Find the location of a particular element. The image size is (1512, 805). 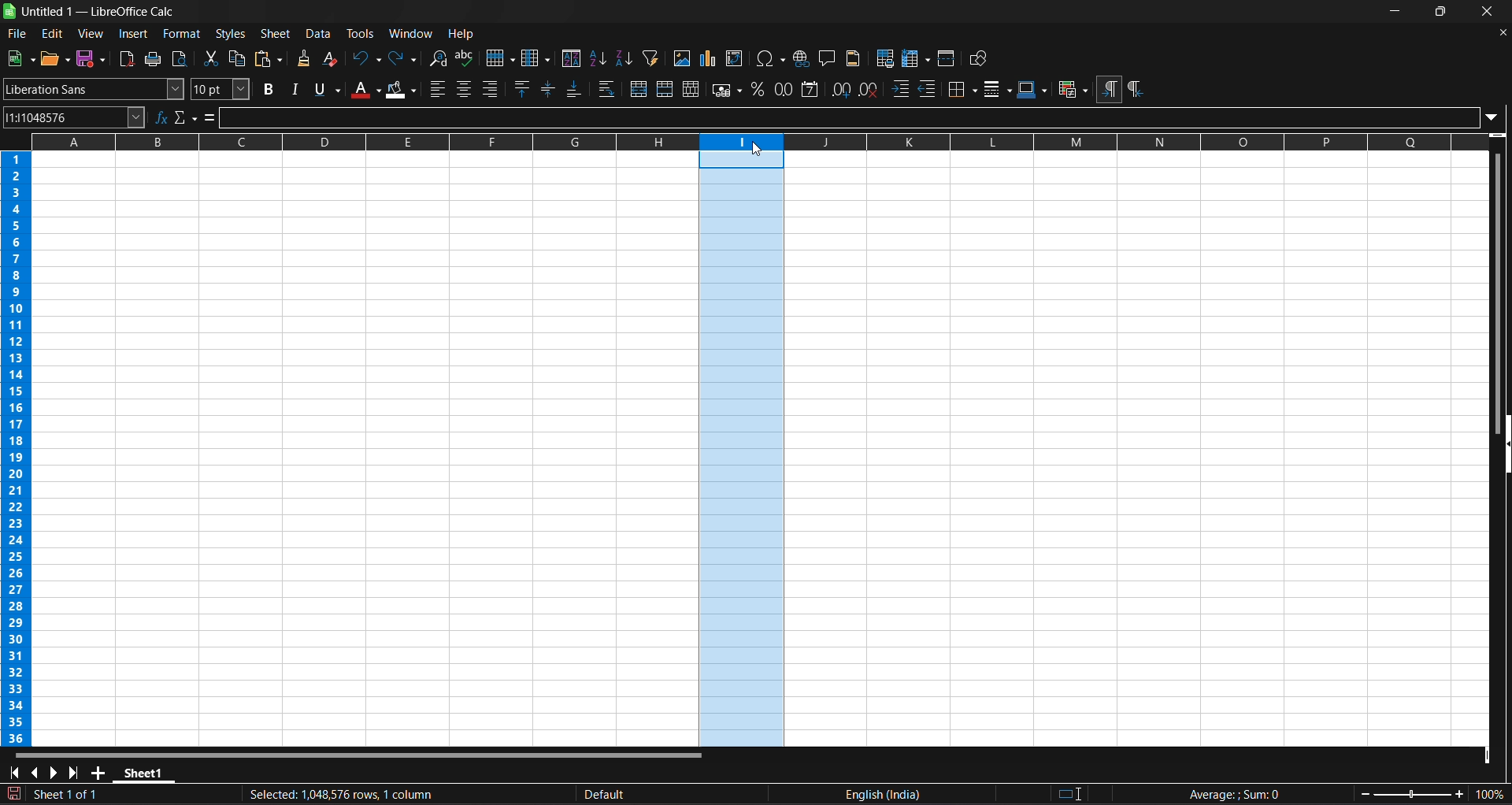

headers and footers is located at coordinates (854, 58).